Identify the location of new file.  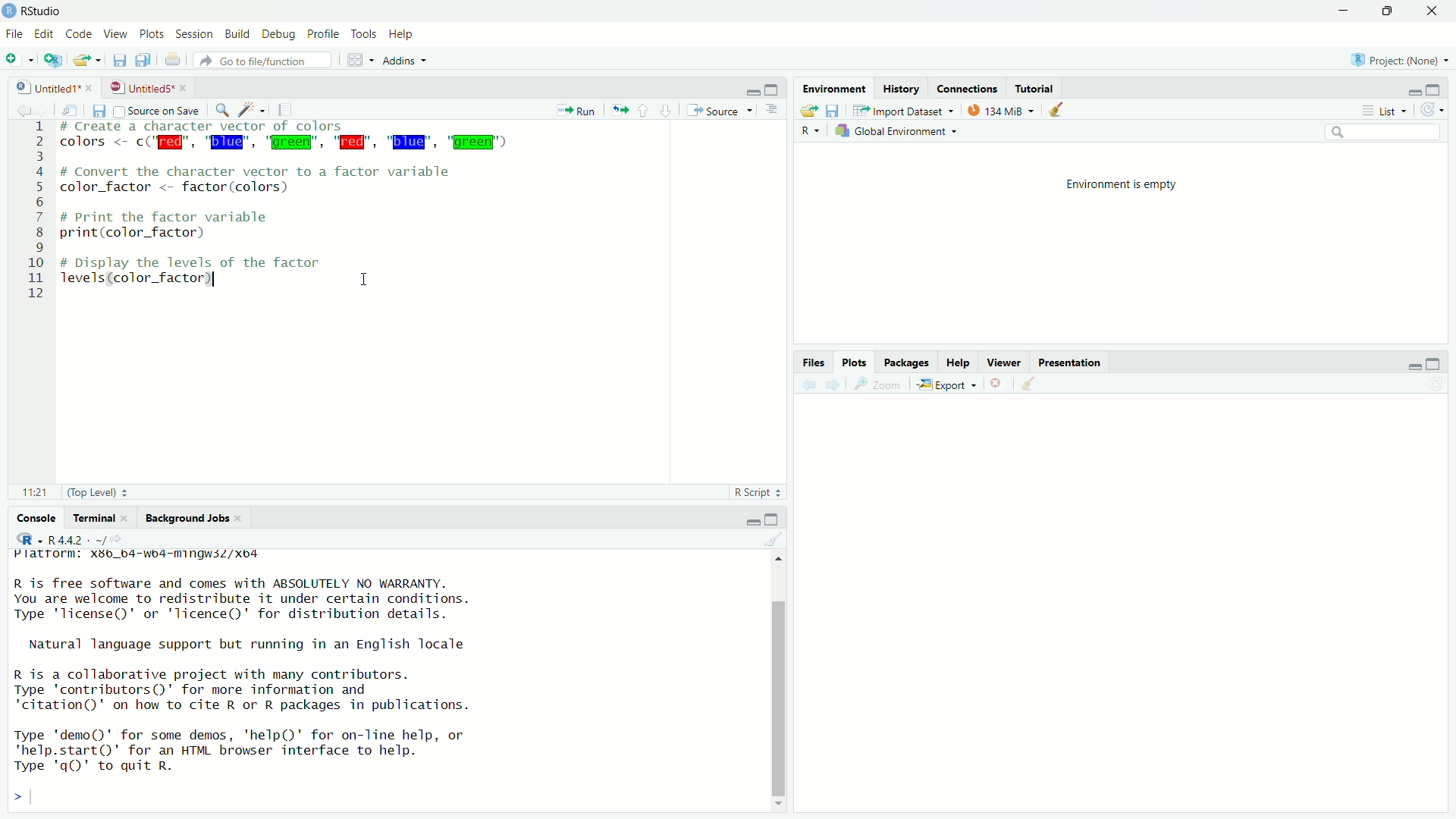
(19, 59).